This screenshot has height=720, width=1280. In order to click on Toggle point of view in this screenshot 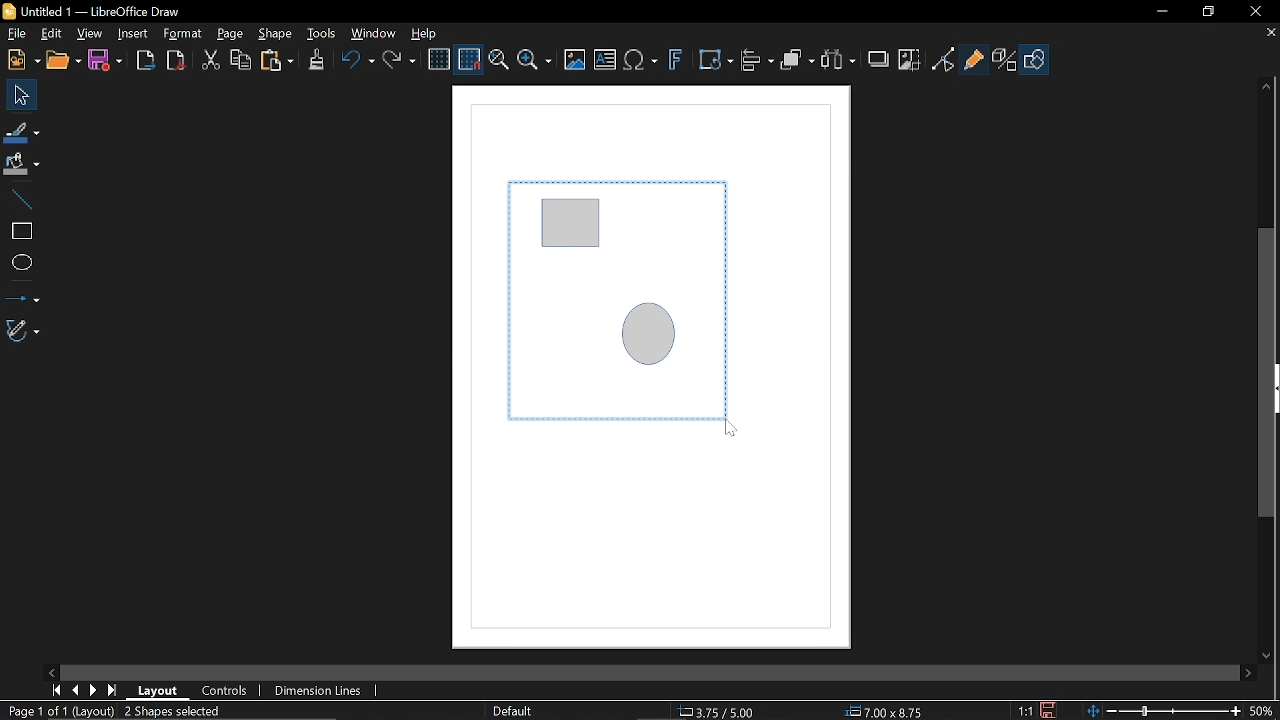, I will do `click(943, 61)`.